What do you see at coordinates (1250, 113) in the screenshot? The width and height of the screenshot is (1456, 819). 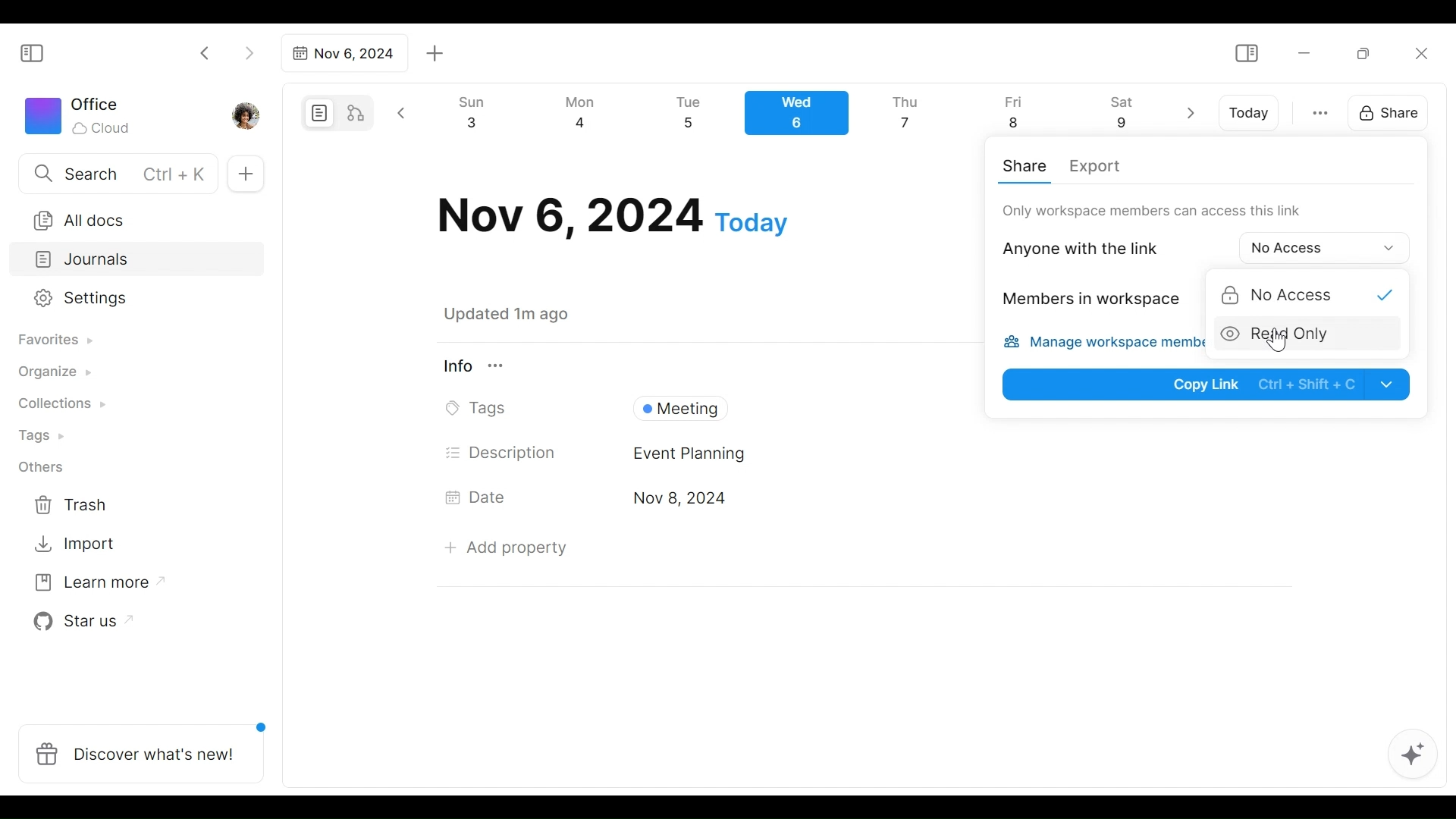 I see `Today` at bounding box center [1250, 113].